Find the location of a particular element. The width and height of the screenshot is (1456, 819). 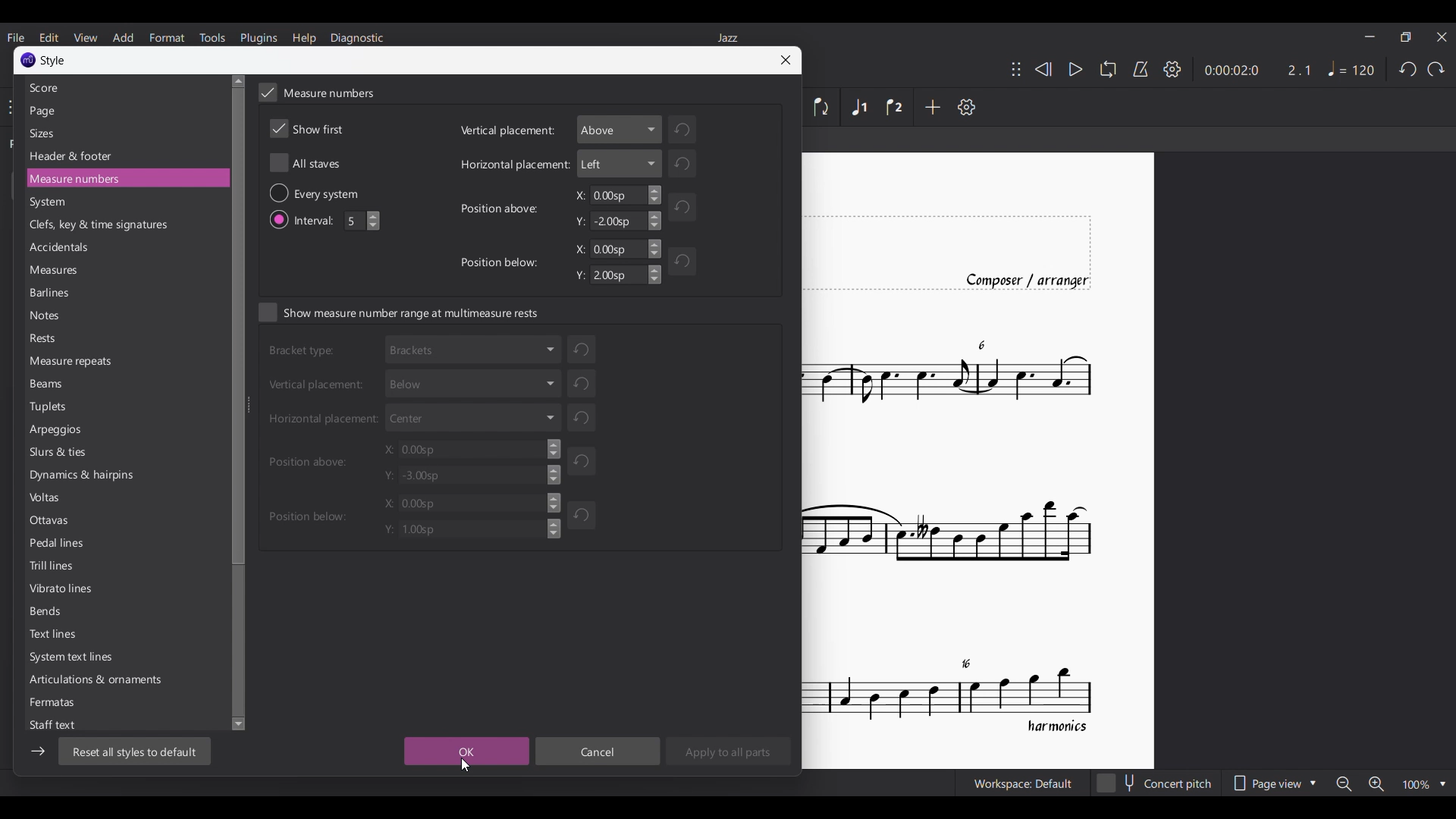

Close interface is located at coordinates (1442, 37).